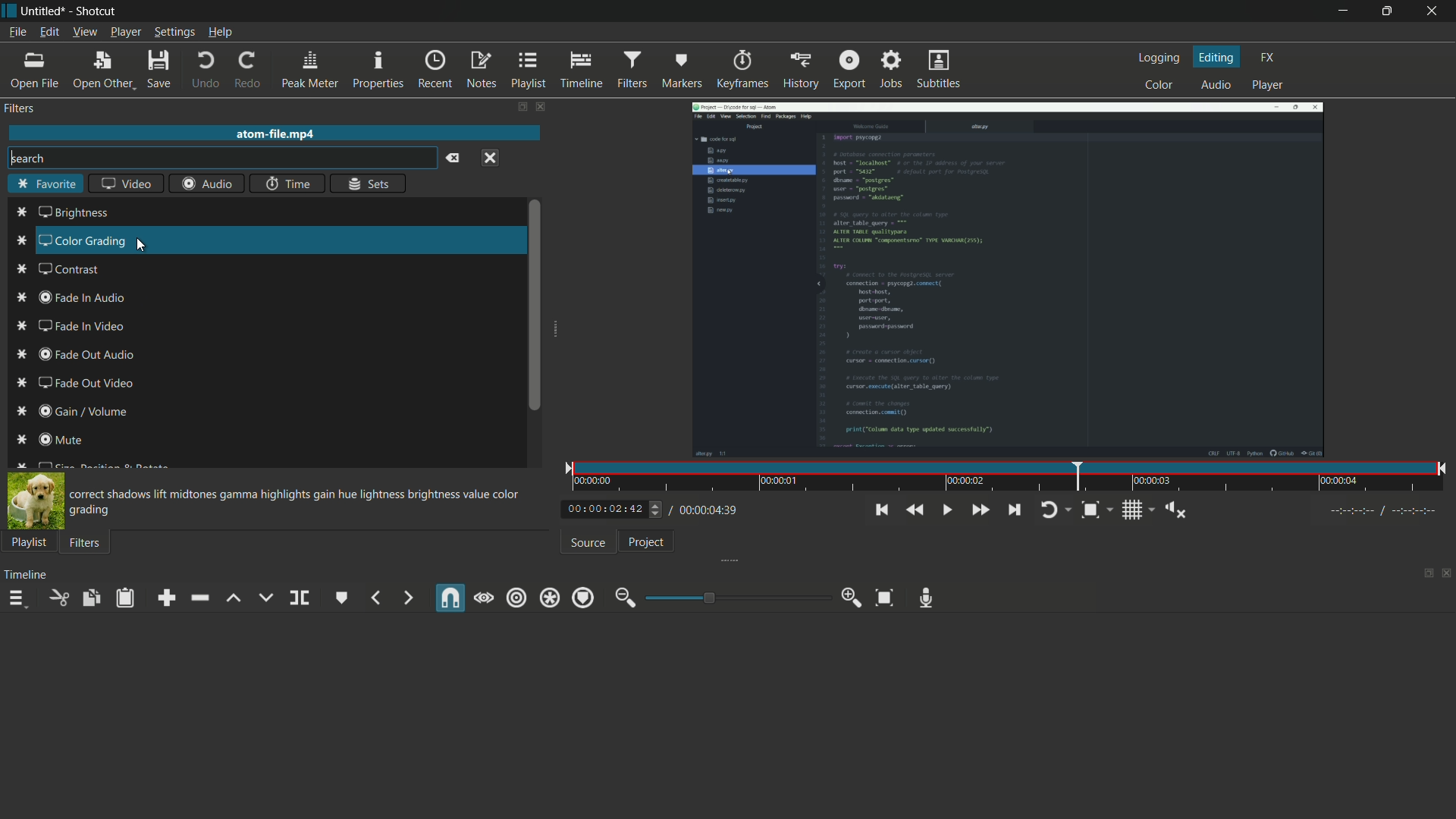 The image size is (1456, 819). I want to click on keyframes, so click(742, 70).